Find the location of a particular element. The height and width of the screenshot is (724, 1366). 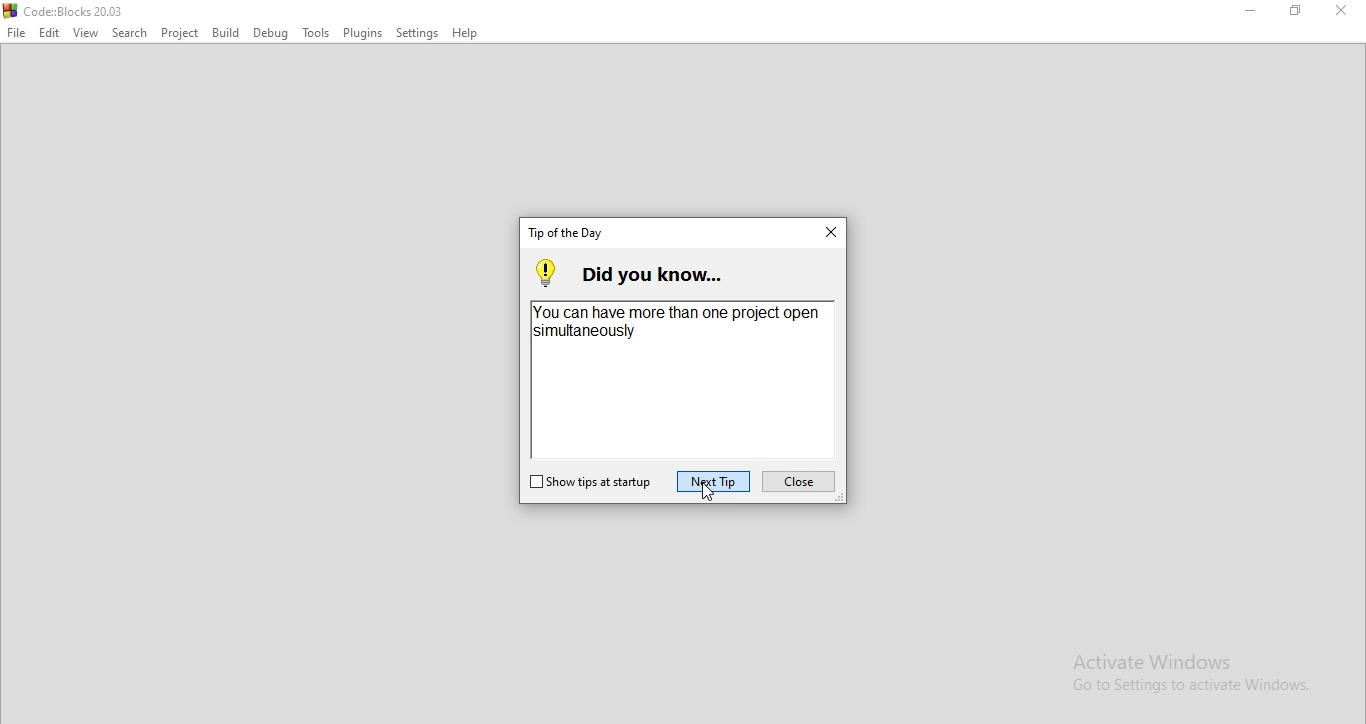

You can have more than one project open simultaneously is located at coordinates (677, 323).